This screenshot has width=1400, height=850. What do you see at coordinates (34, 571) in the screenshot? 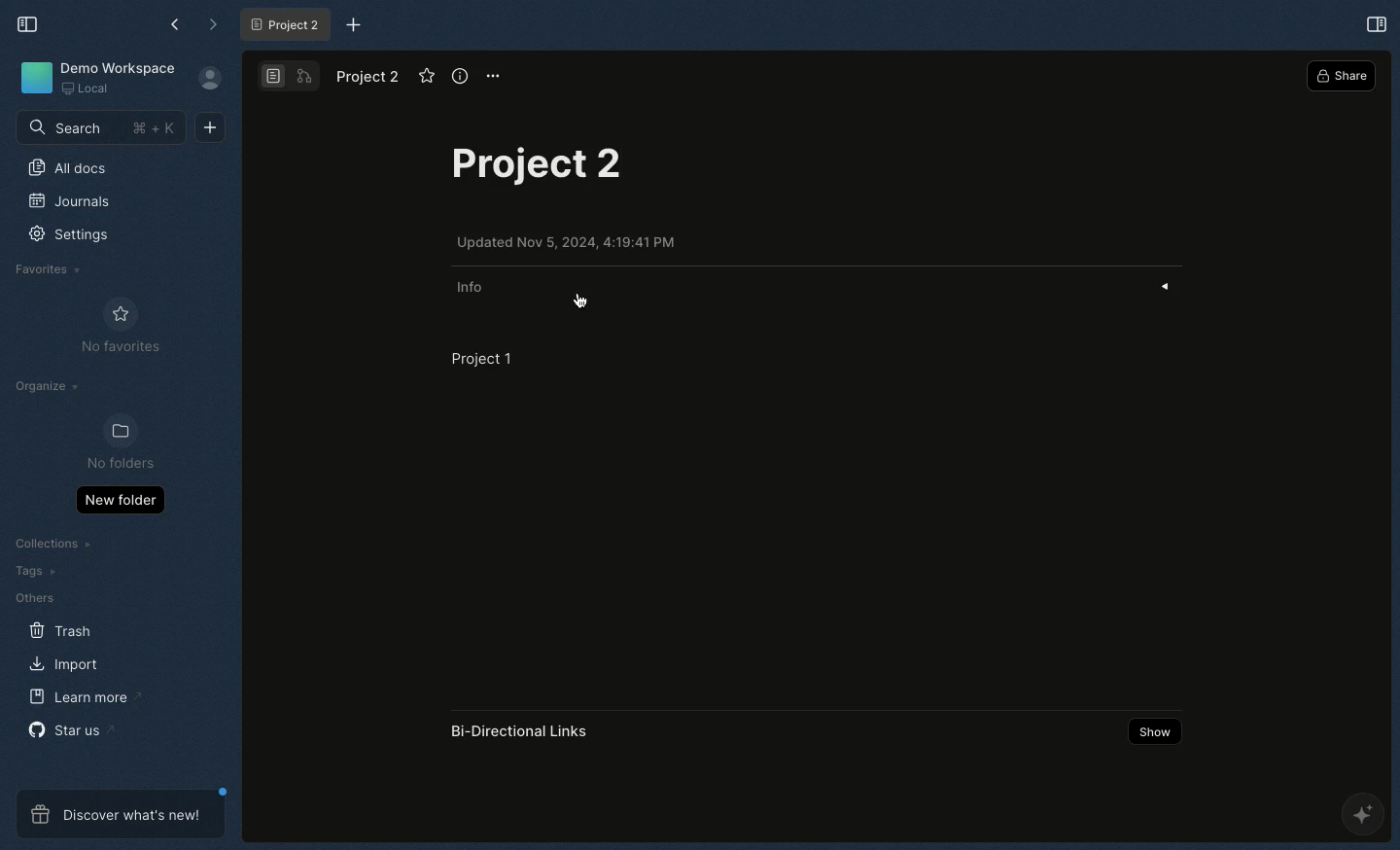
I see `Tags` at bounding box center [34, 571].